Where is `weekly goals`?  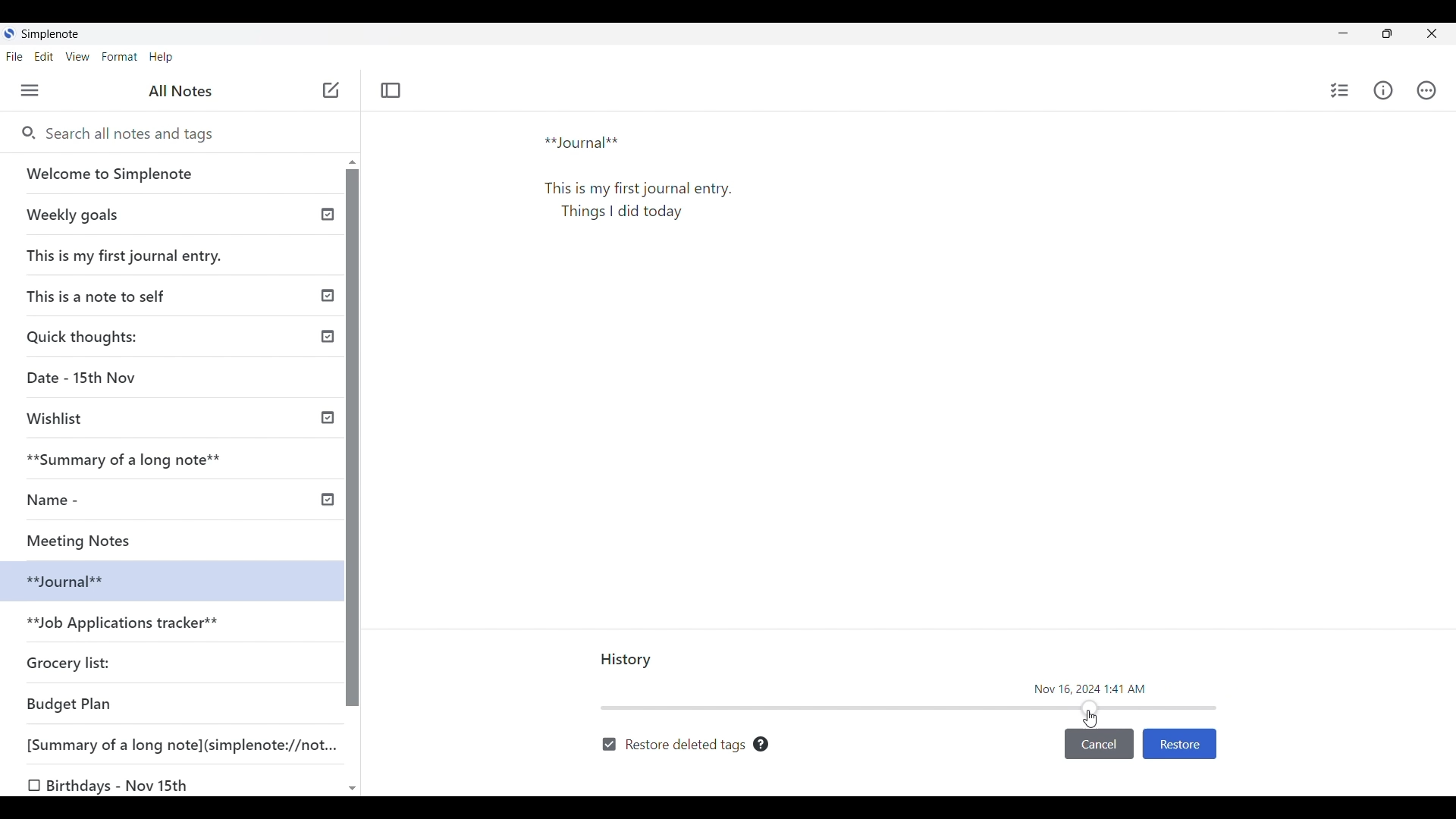 weekly goals is located at coordinates (170, 214).